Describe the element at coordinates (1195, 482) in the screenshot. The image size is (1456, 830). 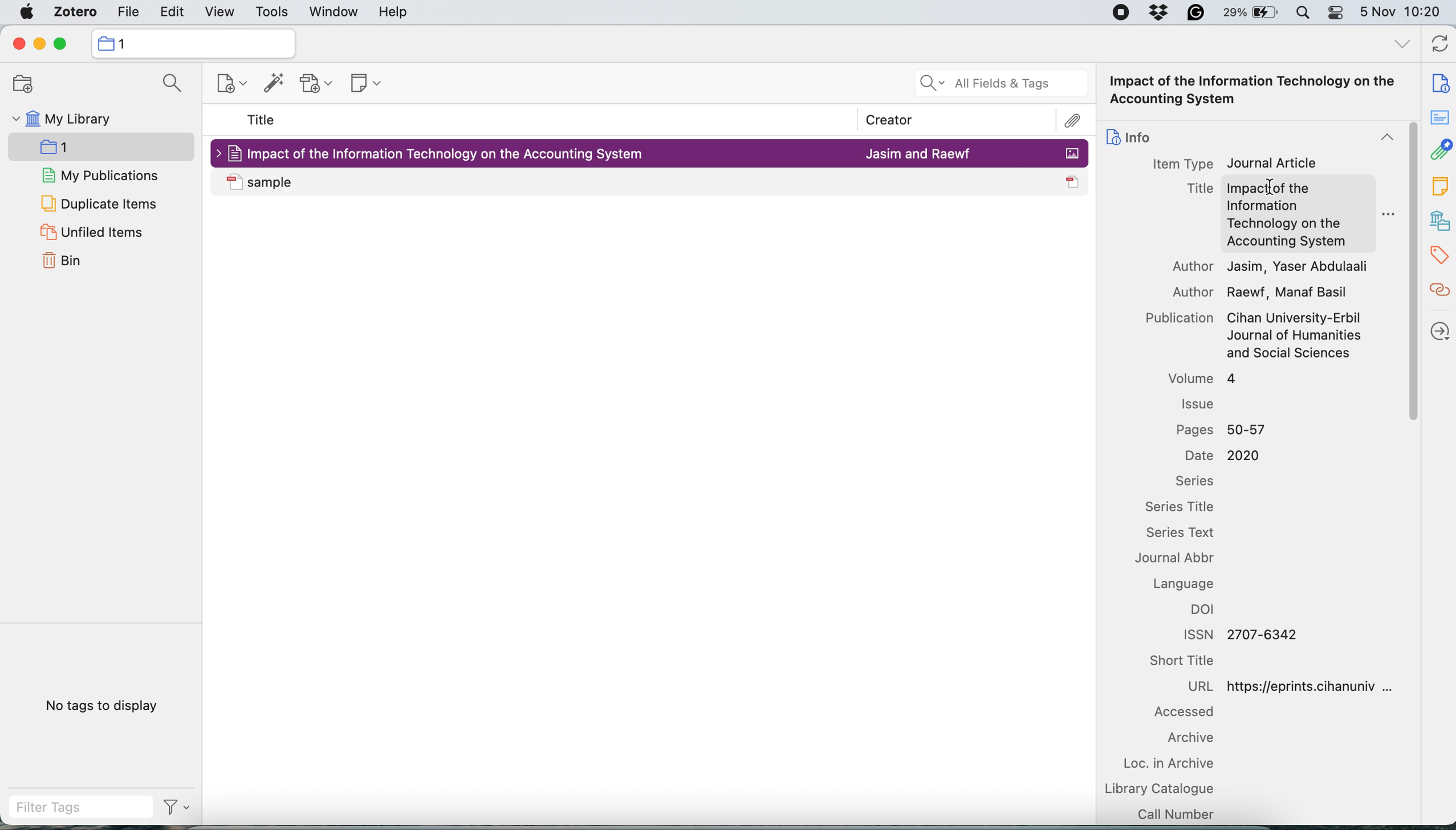
I see `series` at that location.